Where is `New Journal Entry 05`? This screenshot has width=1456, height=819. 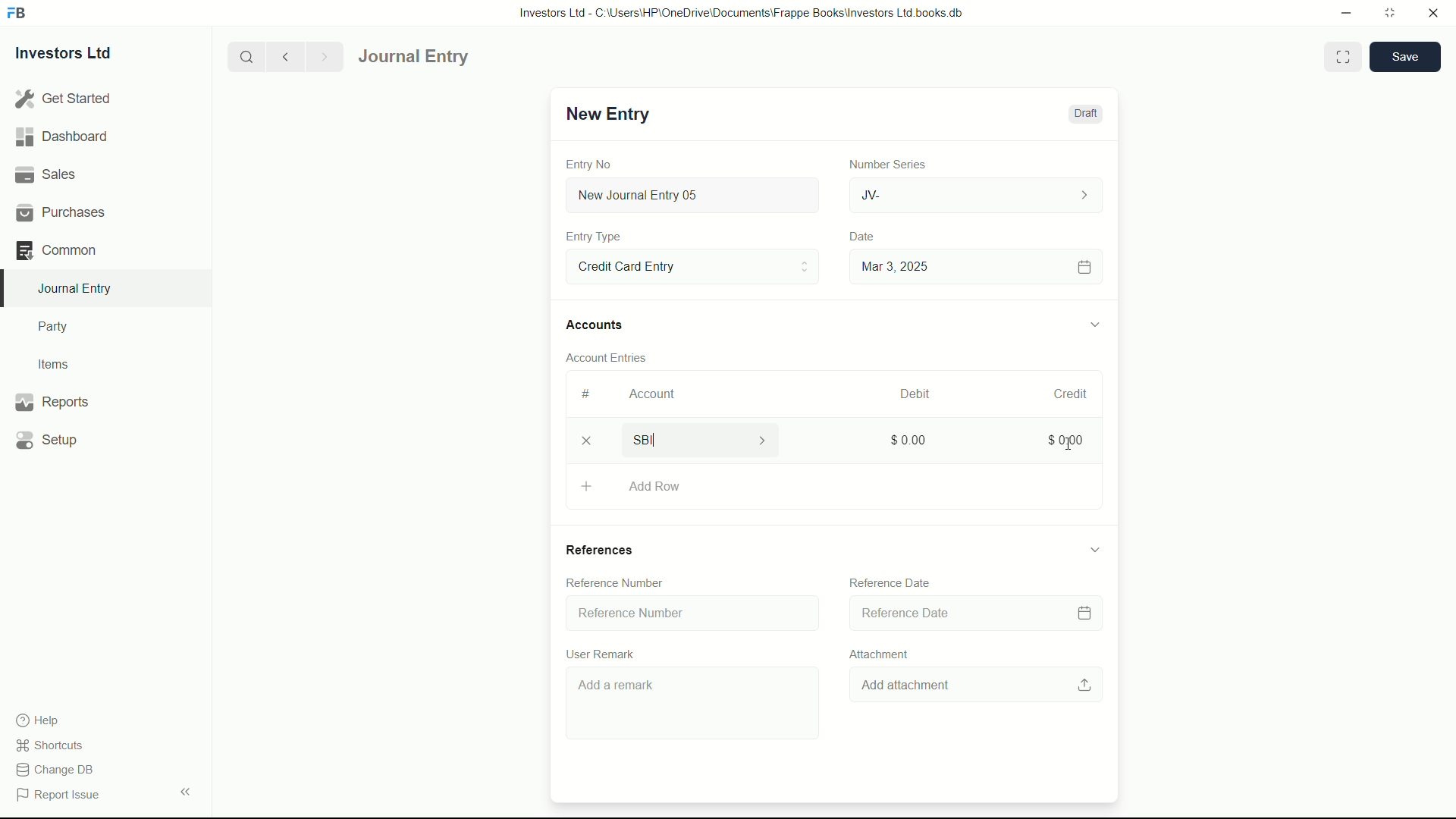
New Journal Entry 05 is located at coordinates (695, 196).